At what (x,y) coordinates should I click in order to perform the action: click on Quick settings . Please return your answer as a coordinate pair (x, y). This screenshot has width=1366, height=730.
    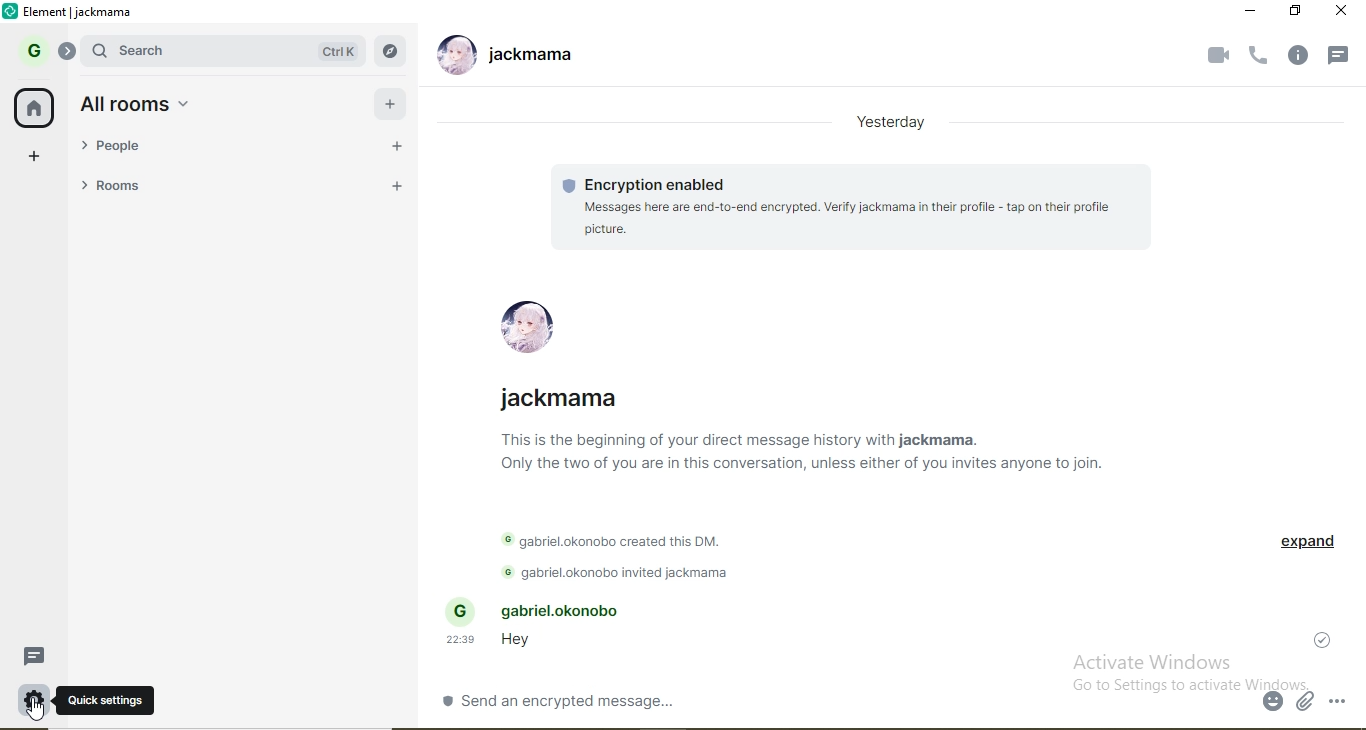
    Looking at the image, I should click on (106, 699).